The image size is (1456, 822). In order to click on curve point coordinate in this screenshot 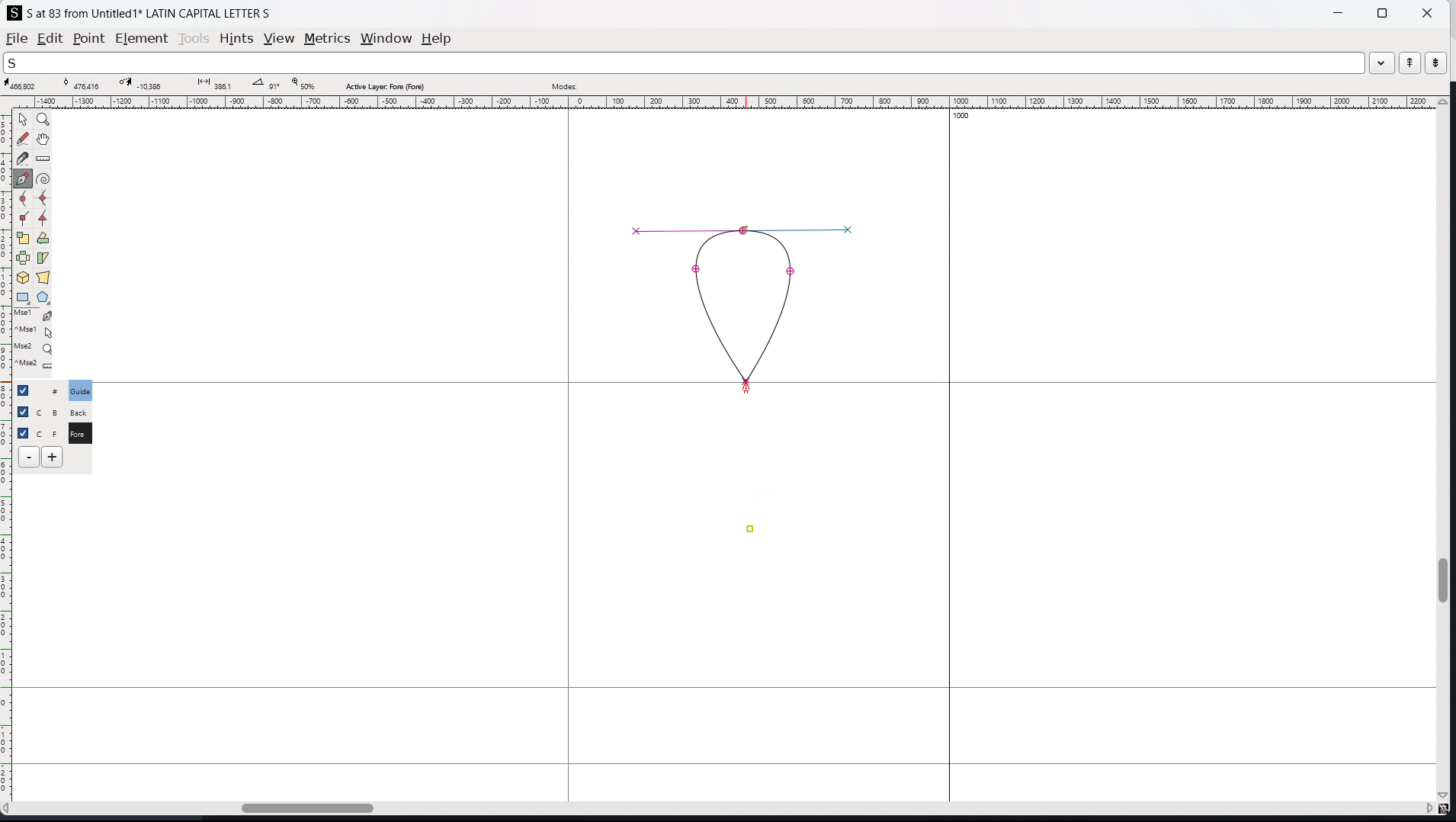, I will do `click(86, 84)`.